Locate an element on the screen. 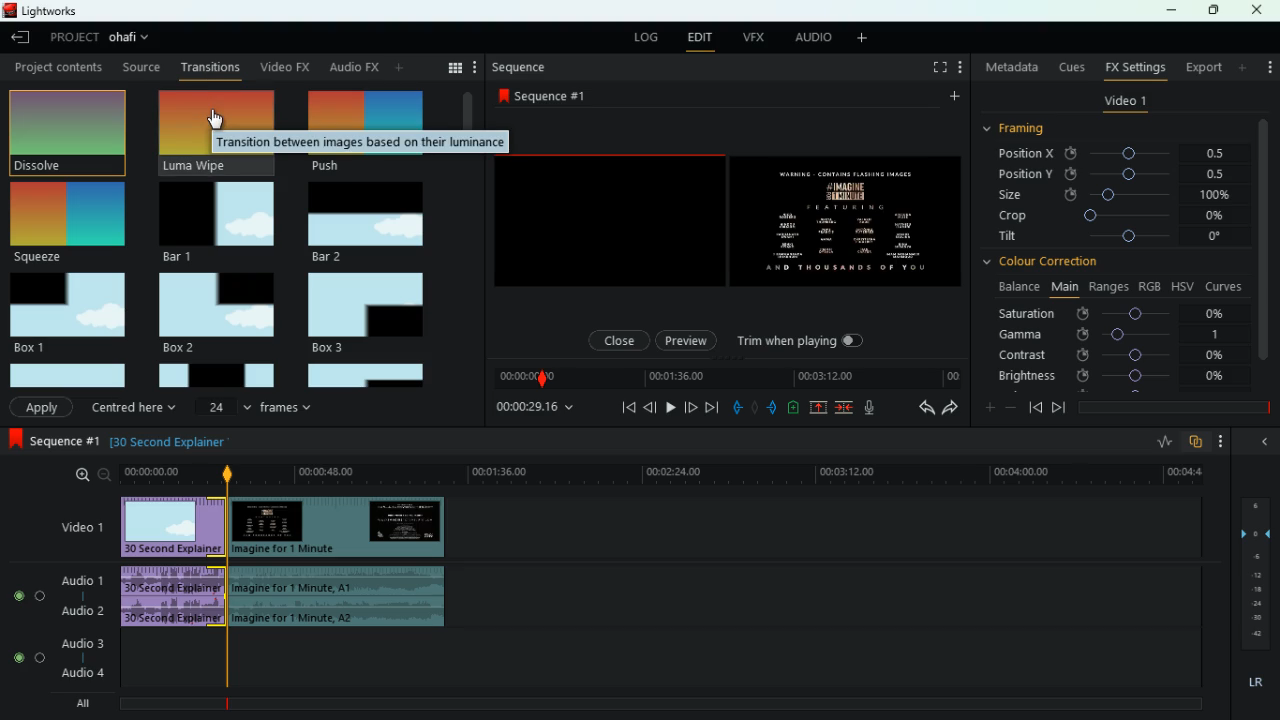 This screenshot has width=1280, height=720. time is located at coordinates (535, 408).